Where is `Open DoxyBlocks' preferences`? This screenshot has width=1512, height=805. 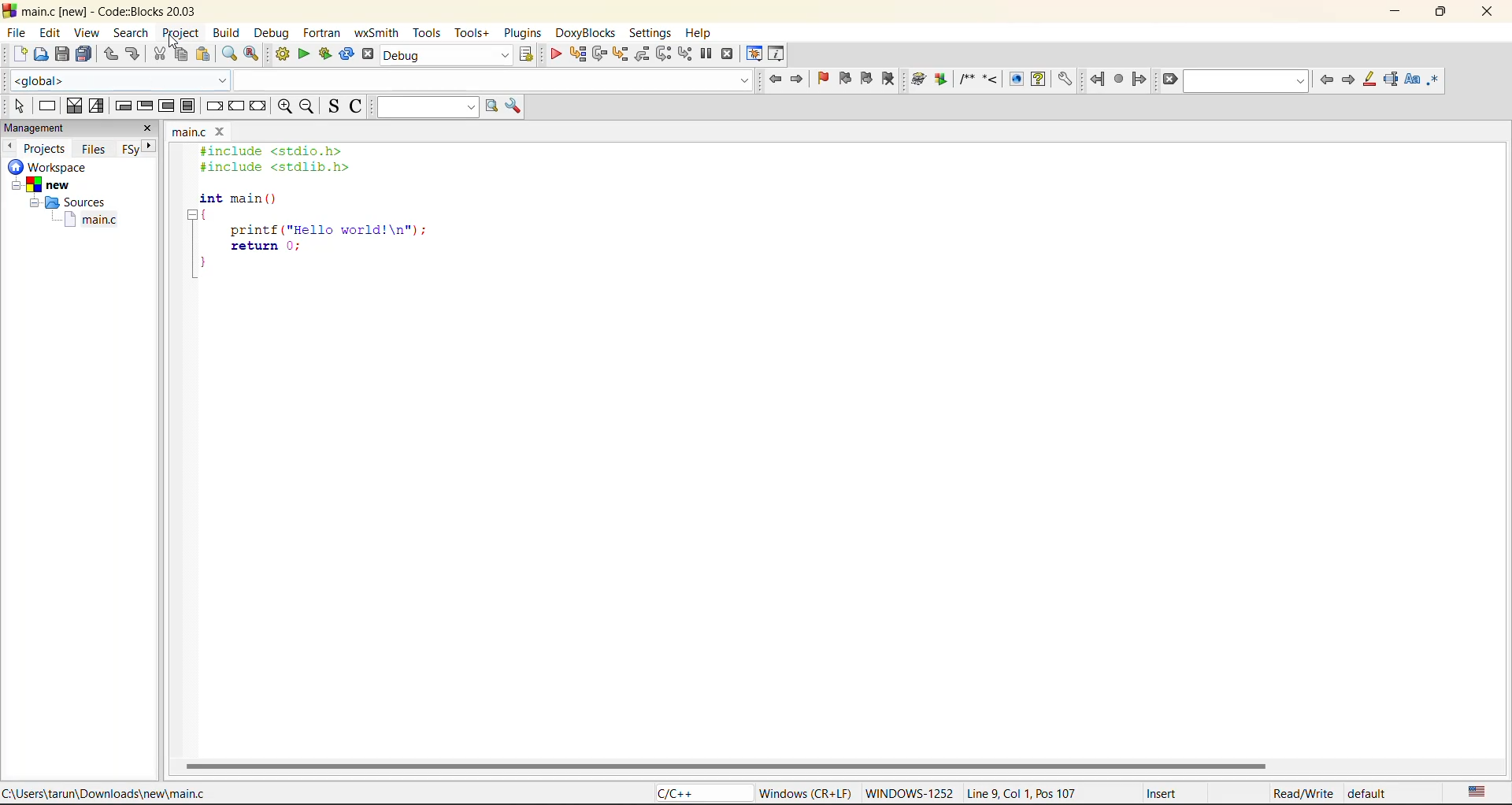 Open DoxyBlocks' preferences is located at coordinates (1064, 80).